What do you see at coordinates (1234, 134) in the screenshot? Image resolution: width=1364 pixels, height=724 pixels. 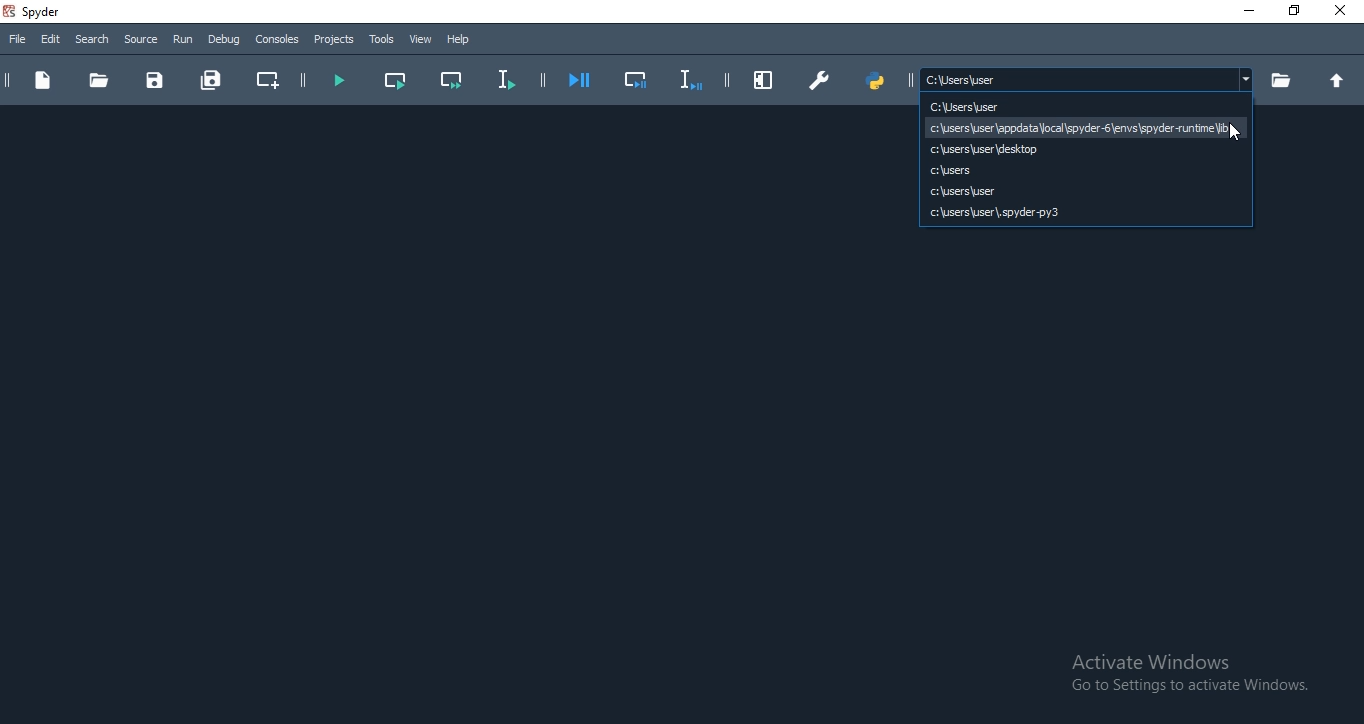 I see `Cursor` at bounding box center [1234, 134].